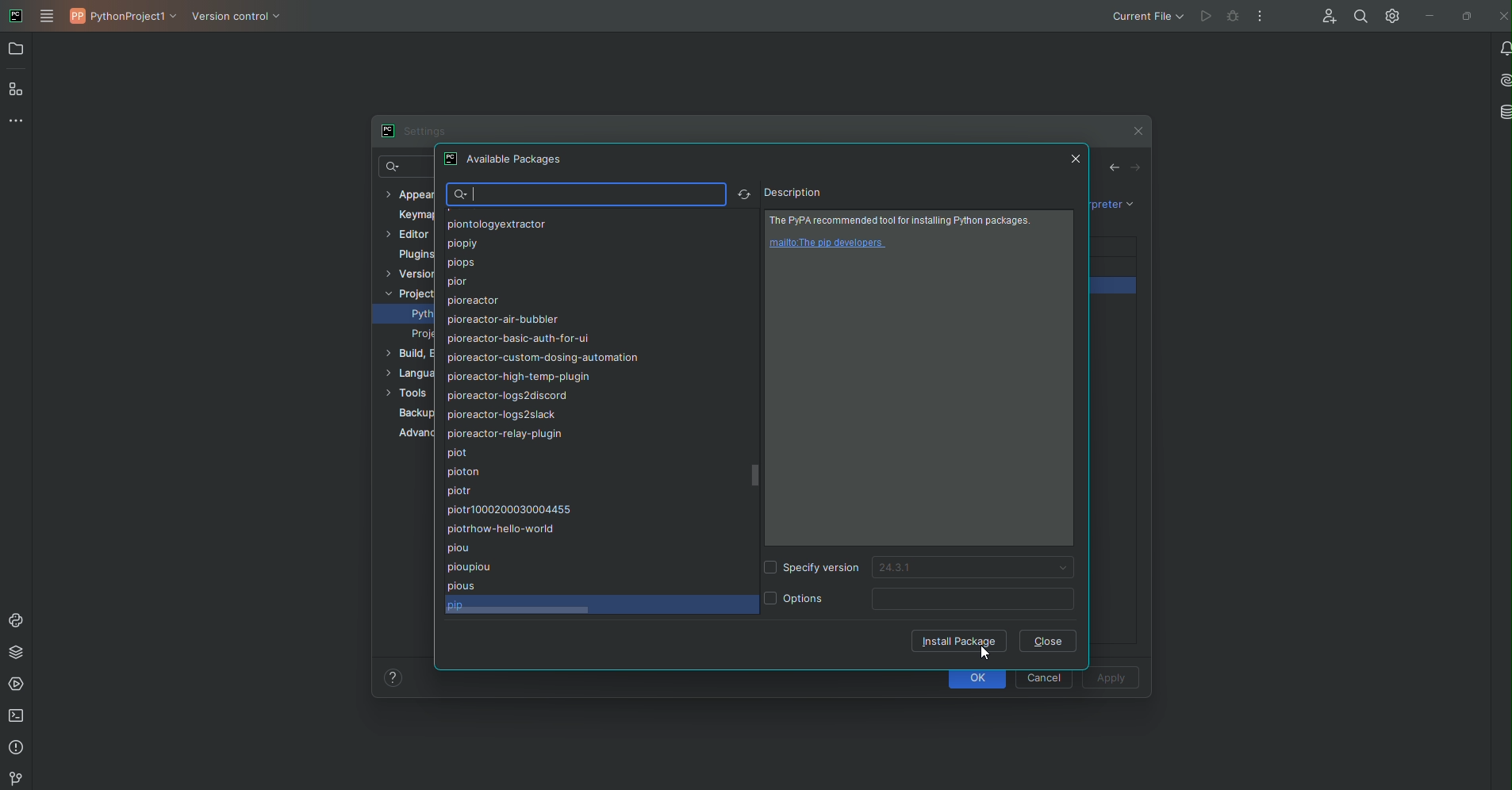  What do you see at coordinates (585, 195) in the screenshot?
I see `Search bar` at bounding box center [585, 195].